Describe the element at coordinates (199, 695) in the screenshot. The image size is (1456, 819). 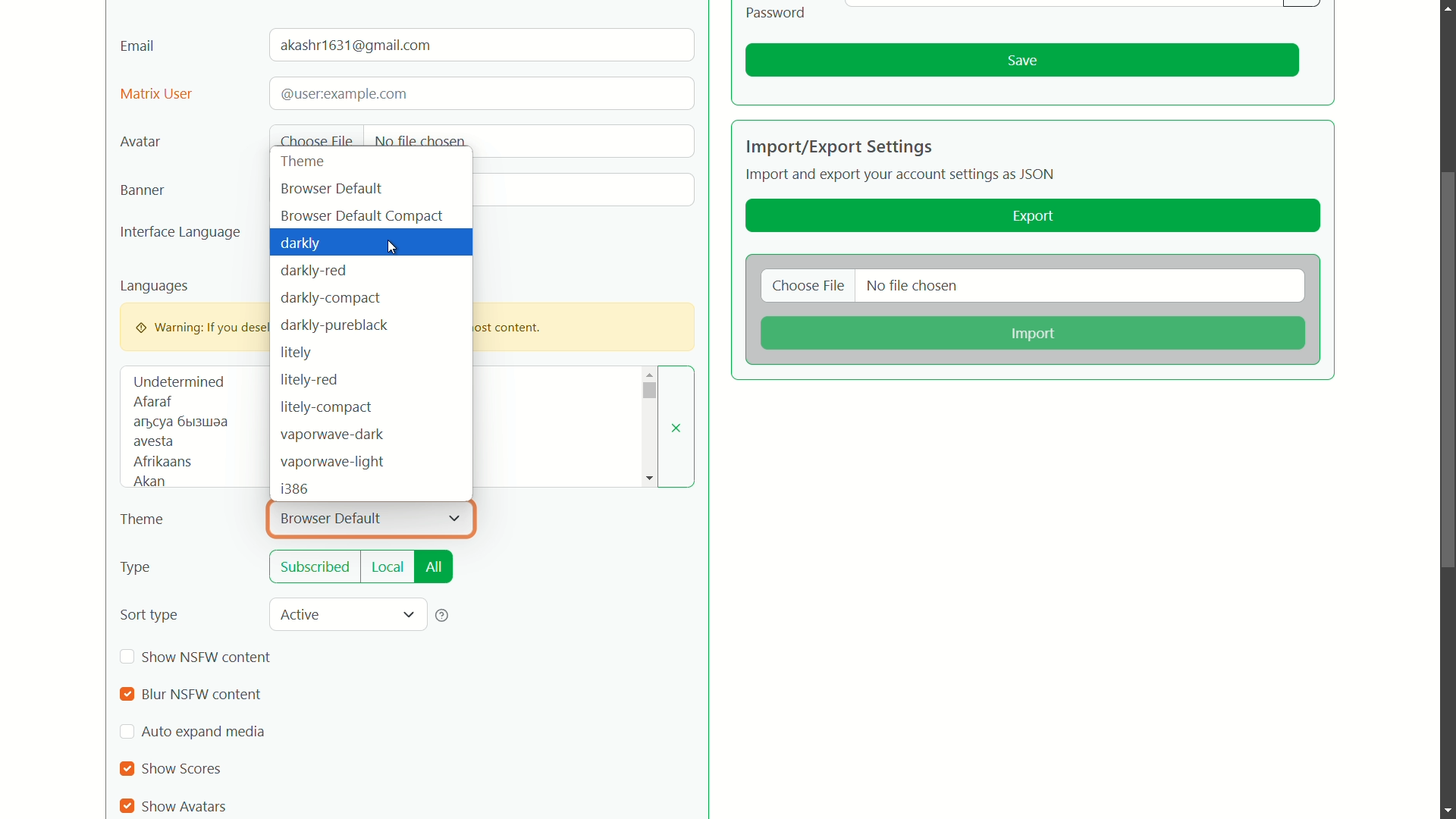
I see `blur nsfw content` at that location.